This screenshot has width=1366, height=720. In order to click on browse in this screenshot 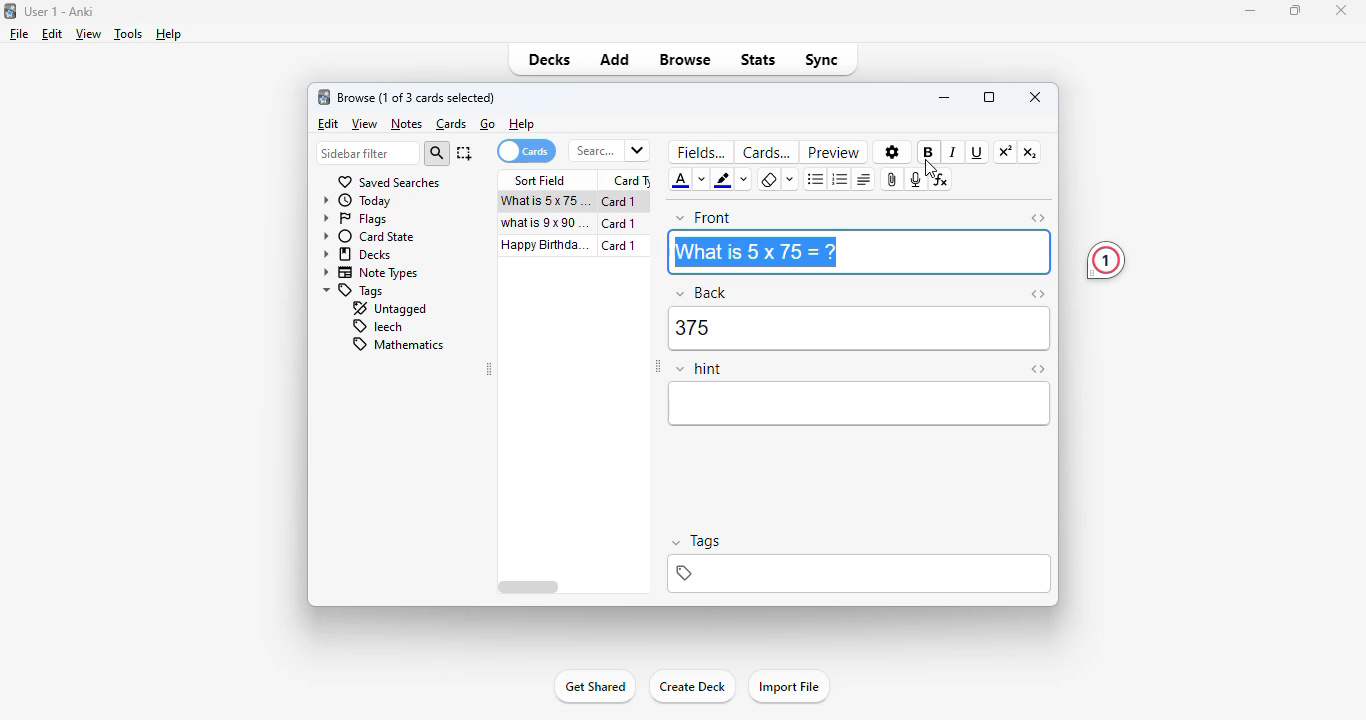, I will do `click(686, 59)`.